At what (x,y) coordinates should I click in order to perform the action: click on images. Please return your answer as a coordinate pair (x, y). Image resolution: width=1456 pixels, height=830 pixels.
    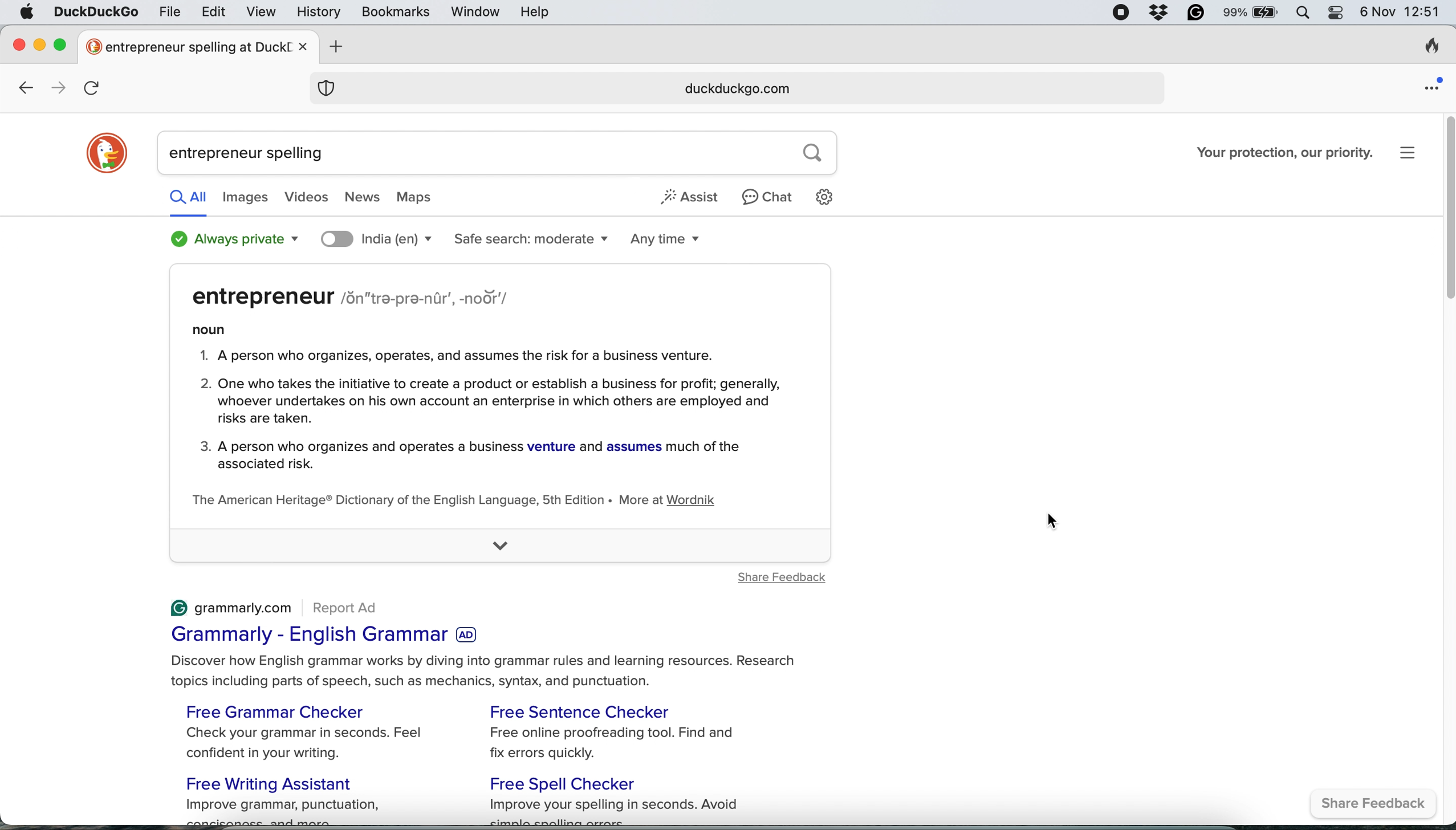
    Looking at the image, I should click on (244, 198).